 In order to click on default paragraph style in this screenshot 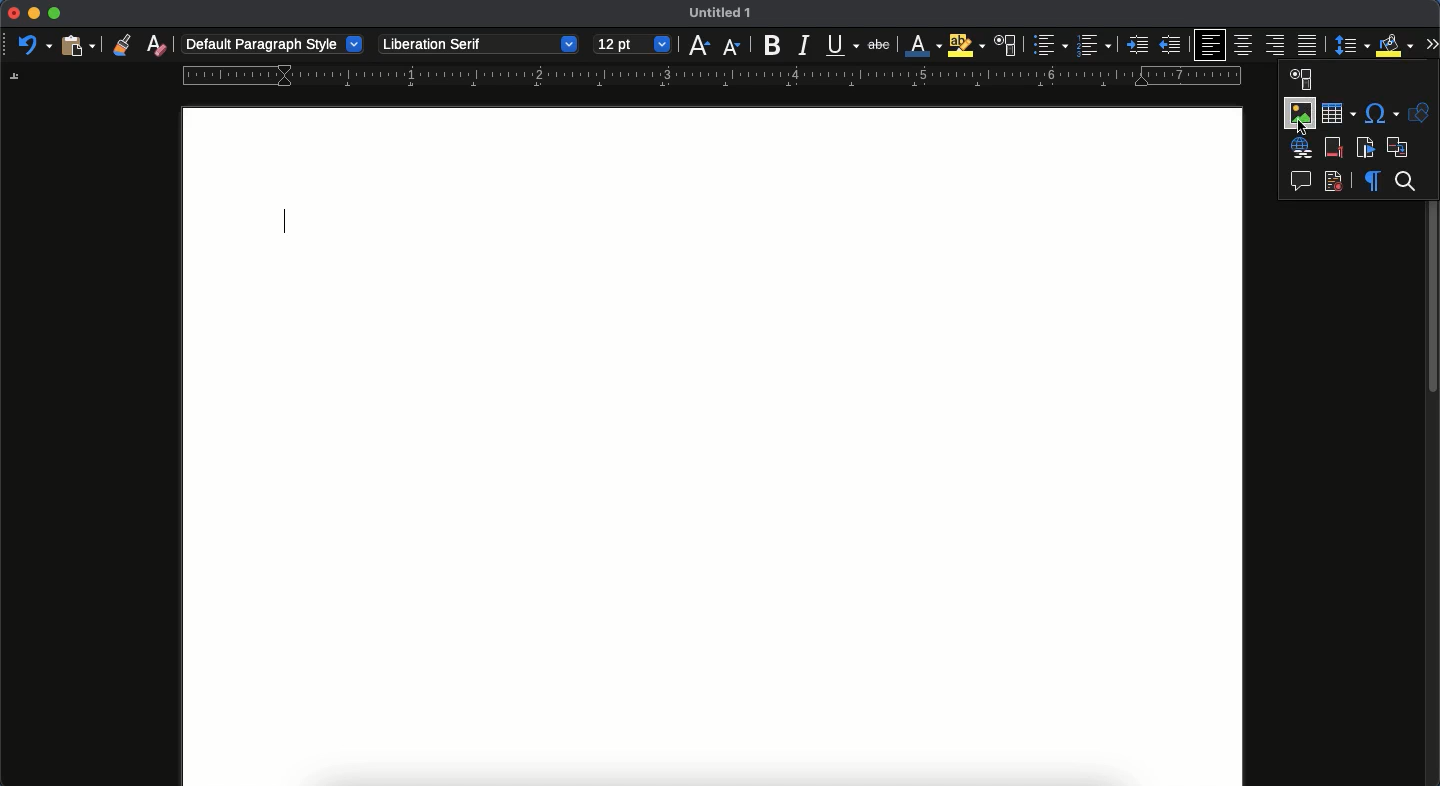, I will do `click(273, 43)`.